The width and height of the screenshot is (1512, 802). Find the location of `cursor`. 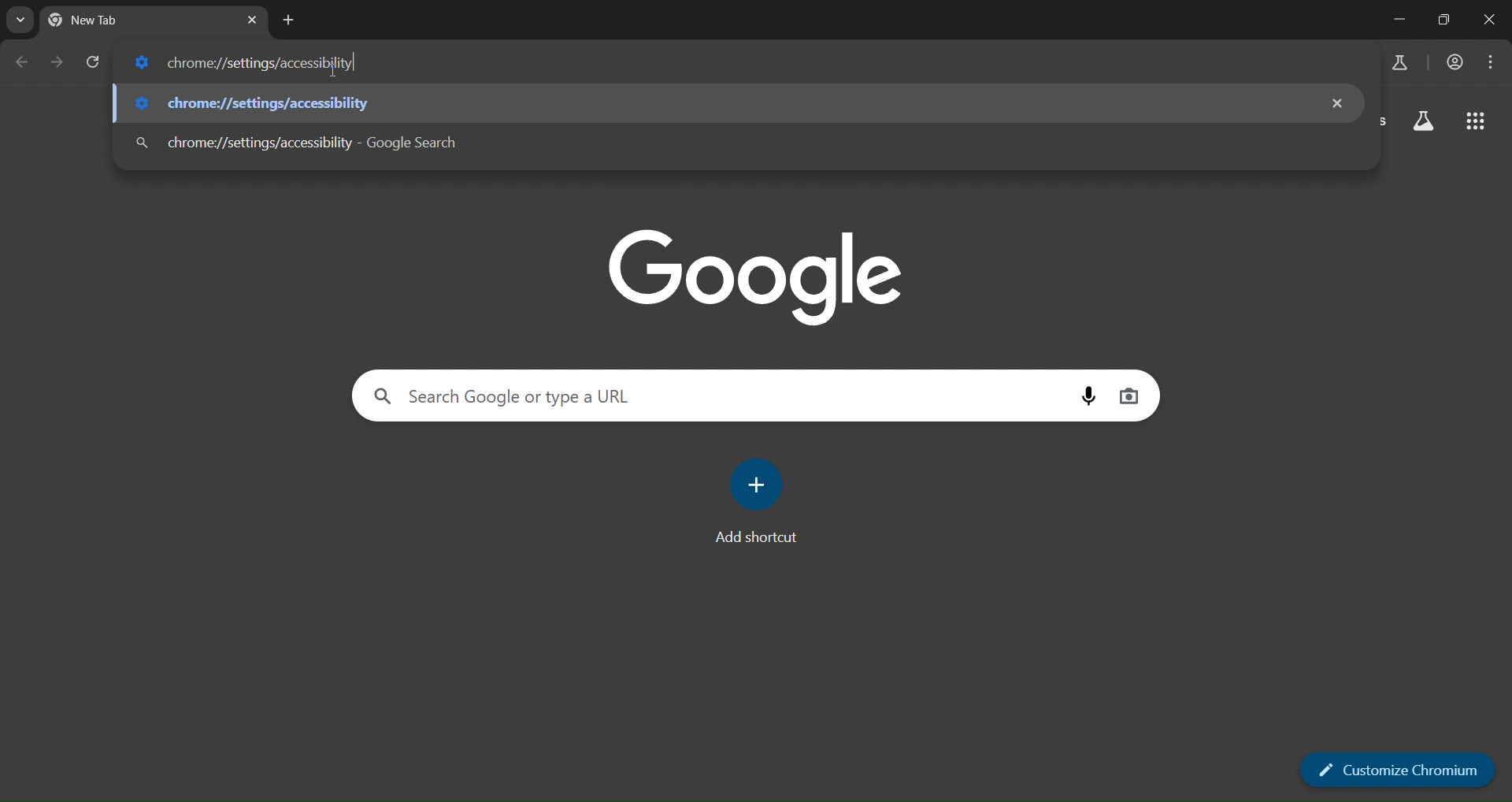

cursor is located at coordinates (354, 65).